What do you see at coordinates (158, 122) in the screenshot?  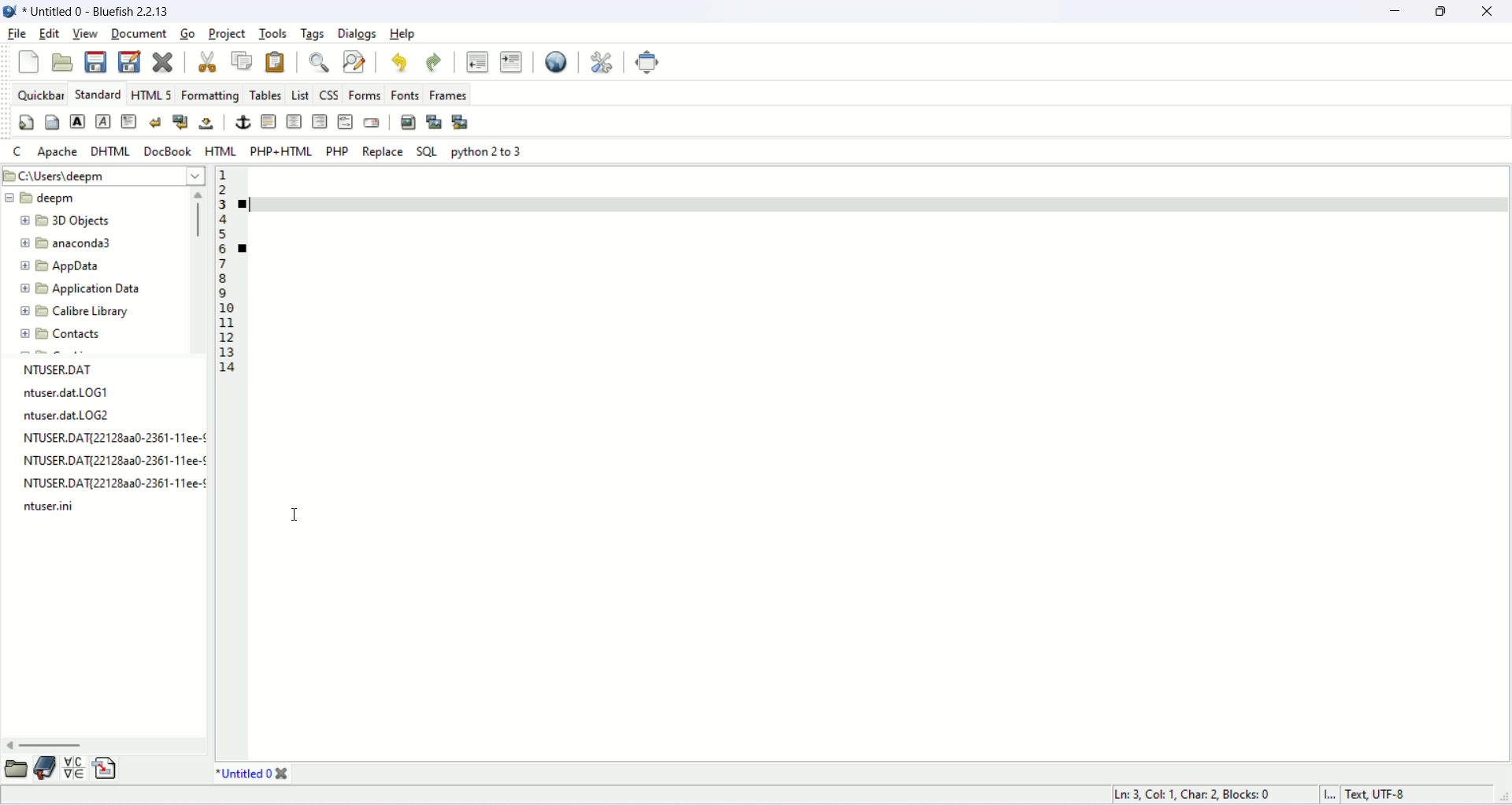 I see `break` at bounding box center [158, 122].